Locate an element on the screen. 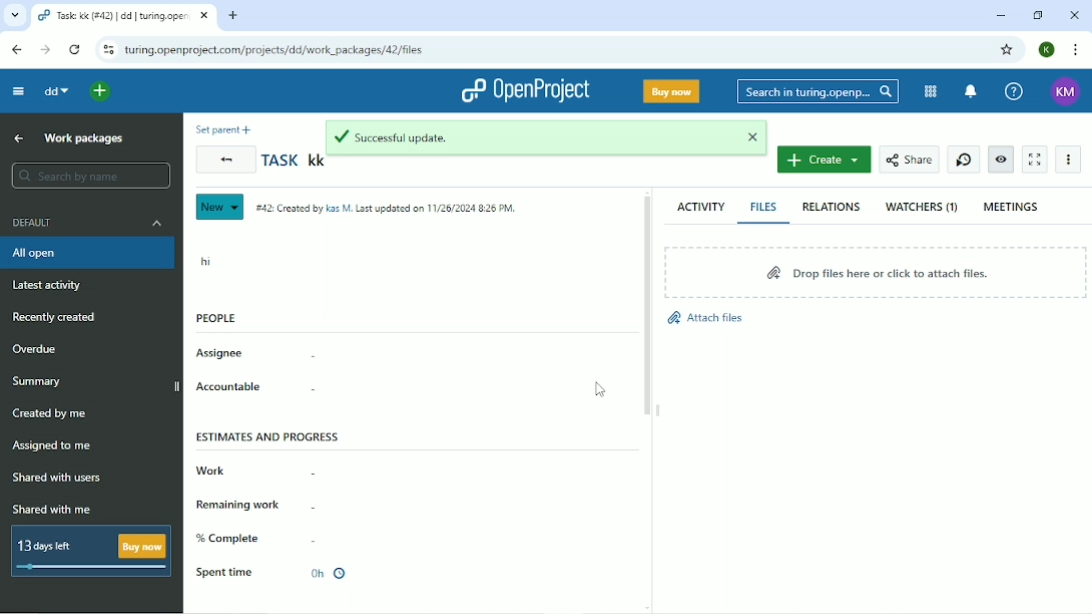 This screenshot has height=614, width=1092. Activate zen mode is located at coordinates (1036, 160).